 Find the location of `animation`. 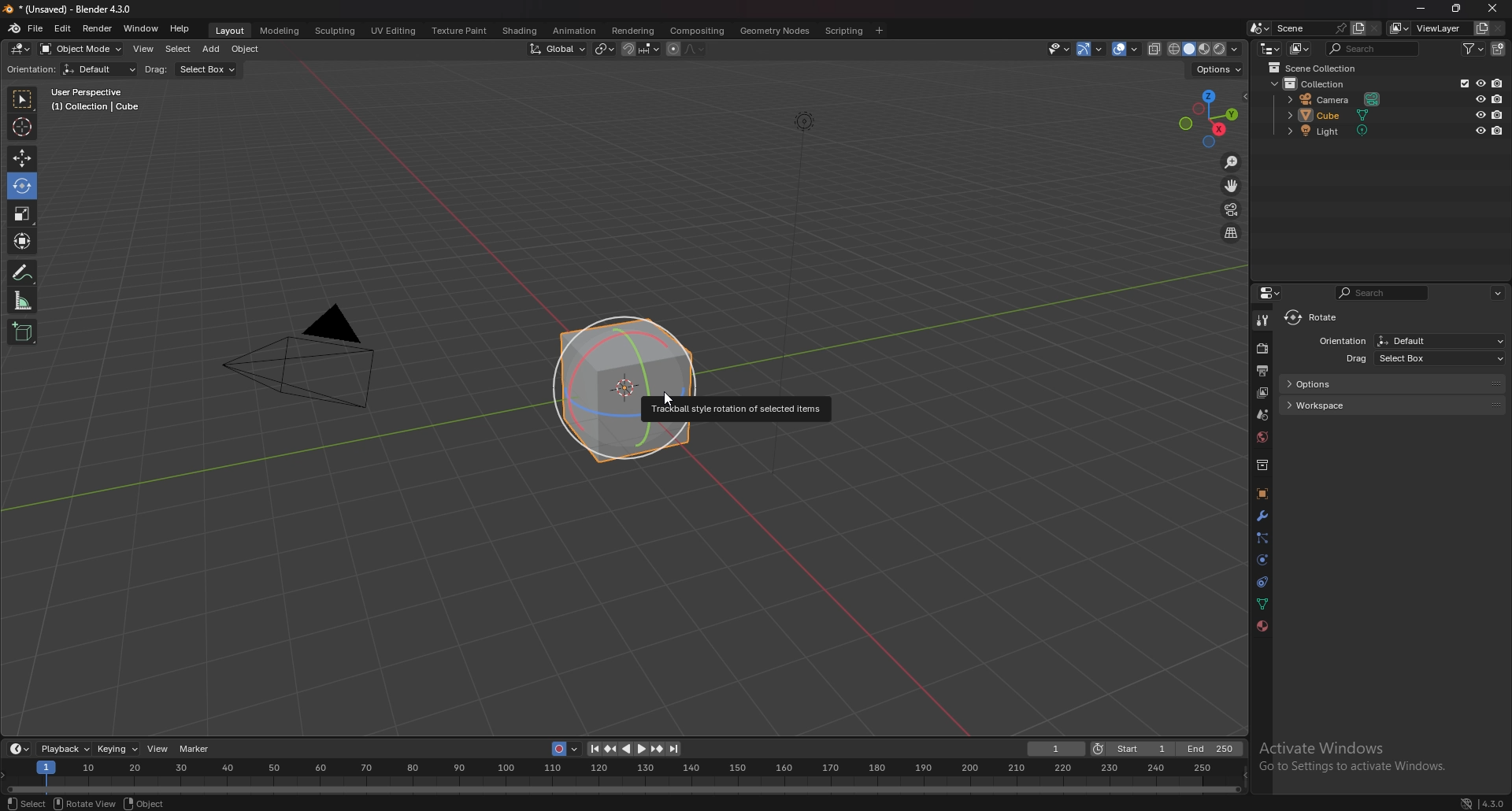

animation is located at coordinates (575, 31).